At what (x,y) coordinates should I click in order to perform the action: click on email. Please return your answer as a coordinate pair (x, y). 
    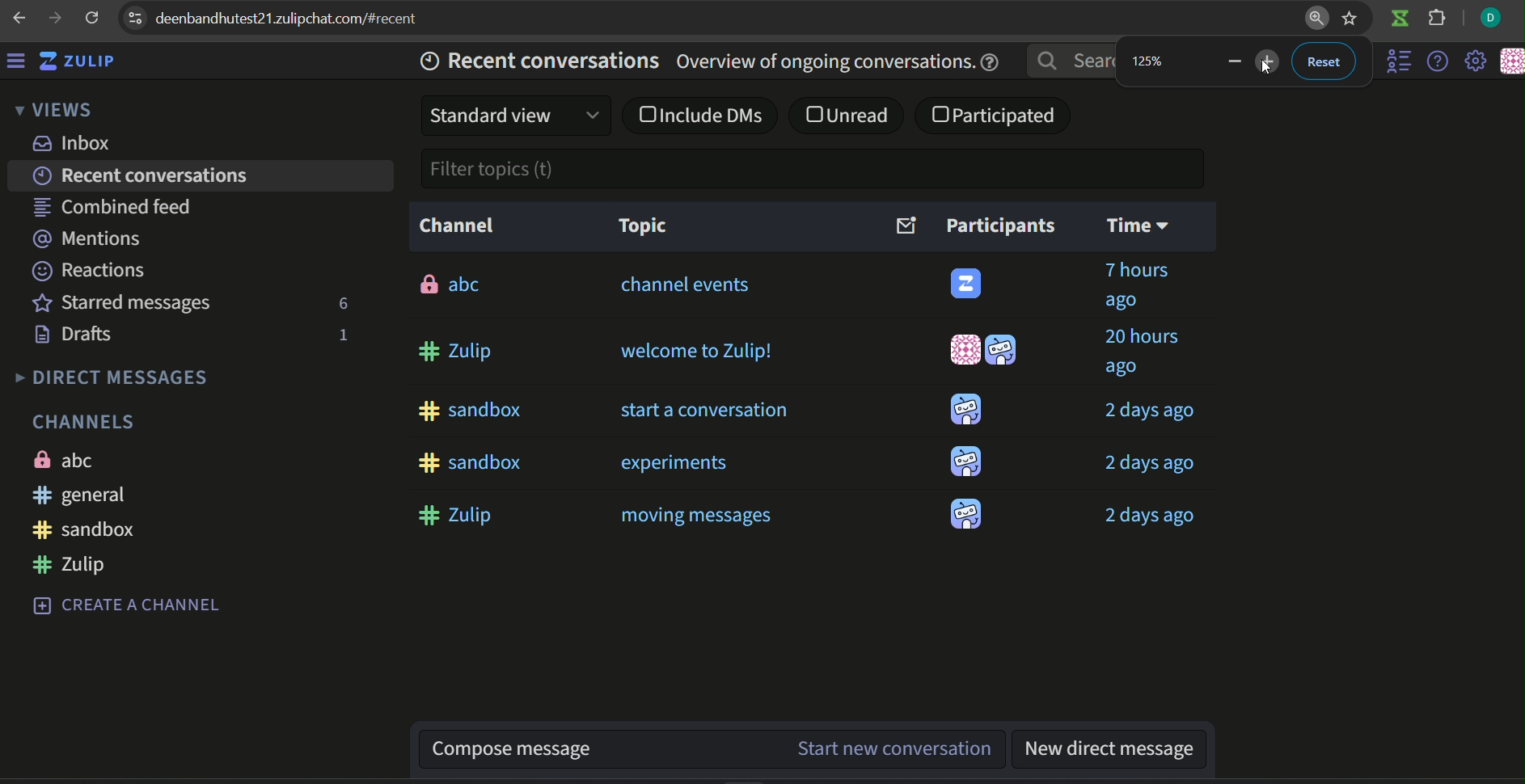
    Looking at the image, I should click on (905, 225).